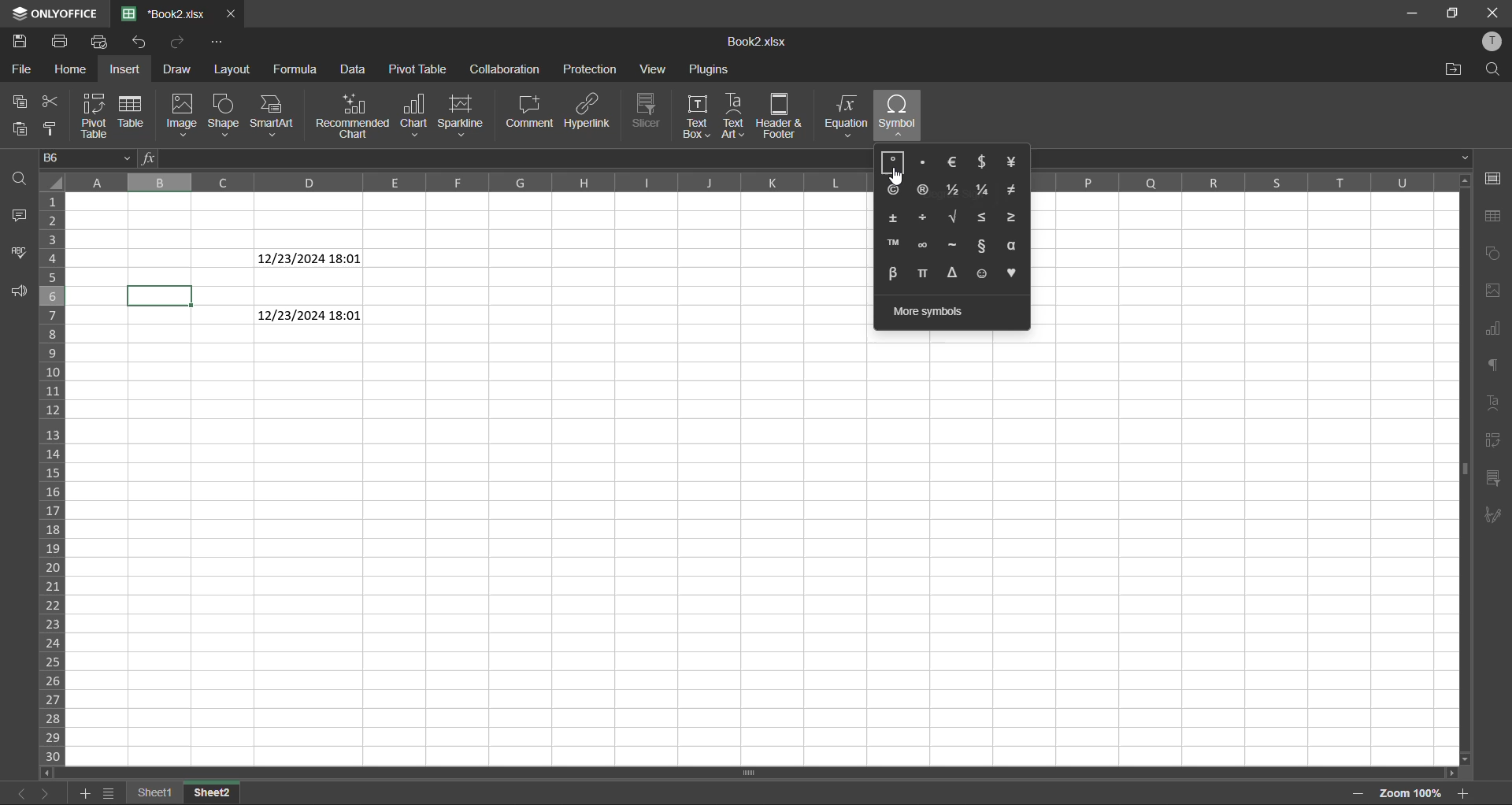 This screenshot has height=805, width=1512. Describe the element at coordinates (75, 70) in the screenshot. I see `home` at that location.